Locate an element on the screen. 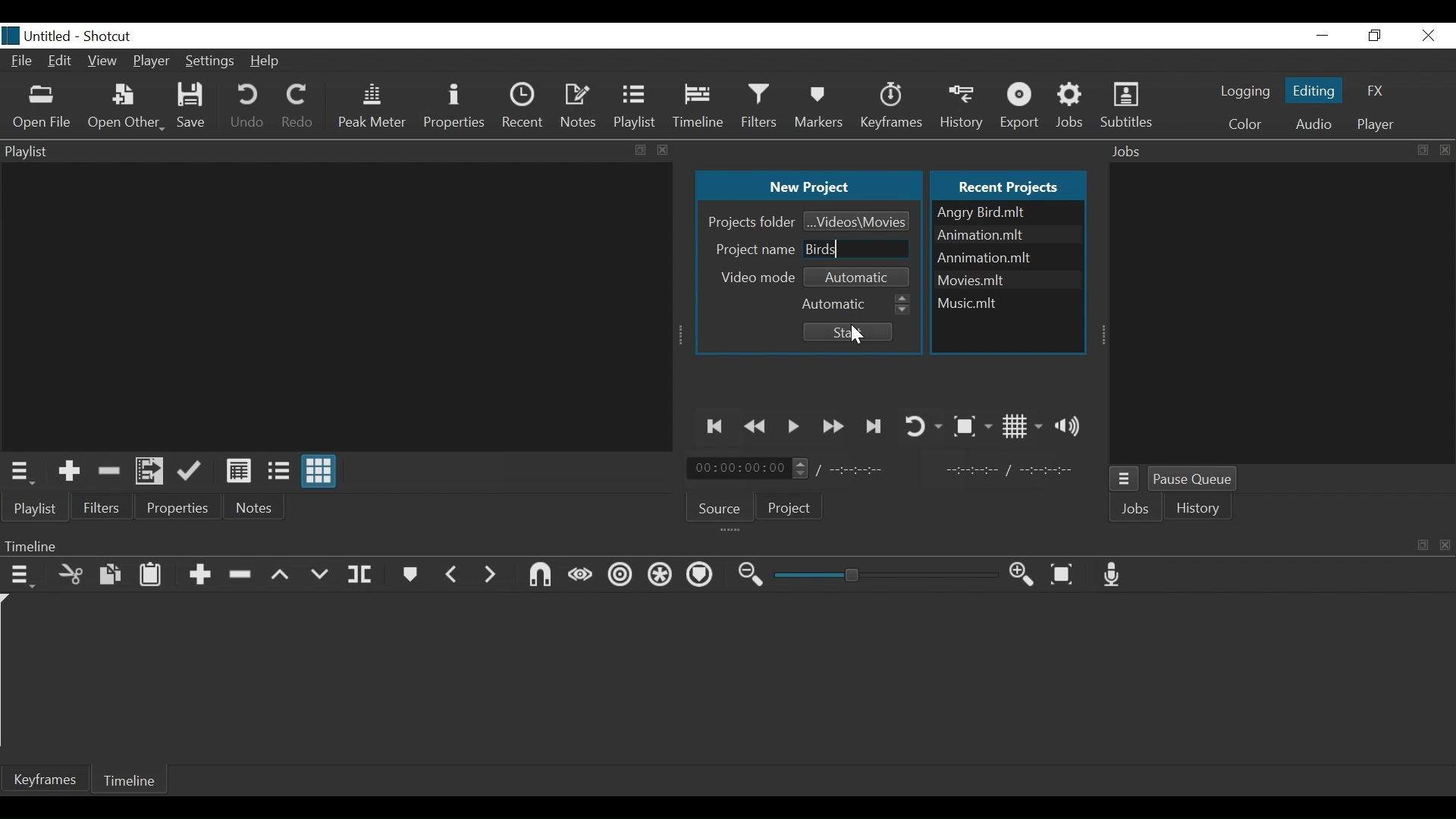 This screenshot has height=819, width=1456. Skip to the previous point is located at coordinates (717, 426).